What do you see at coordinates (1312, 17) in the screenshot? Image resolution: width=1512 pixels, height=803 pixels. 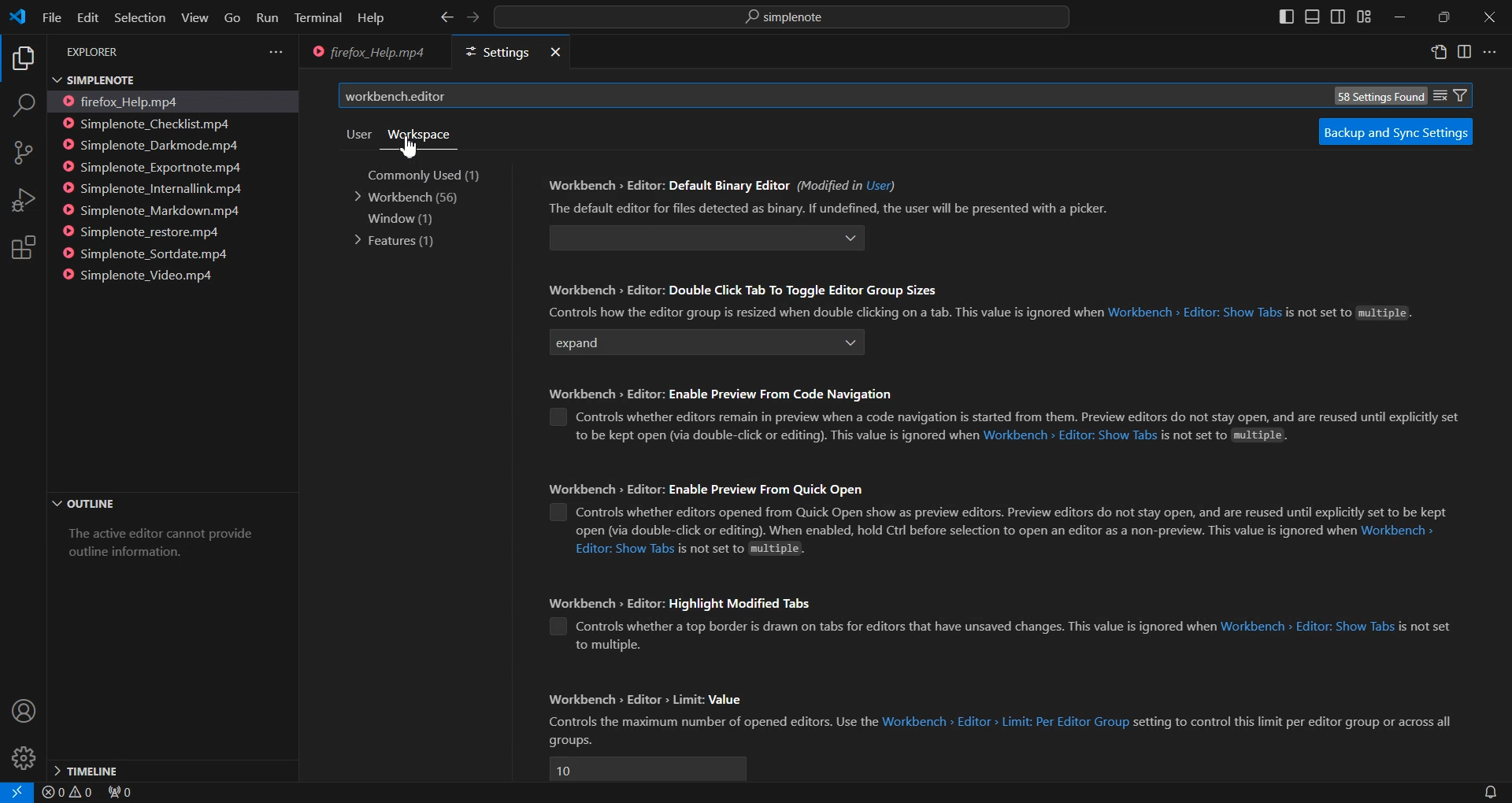 I see `Toggle pannel` at bounding box center [1312, 17].